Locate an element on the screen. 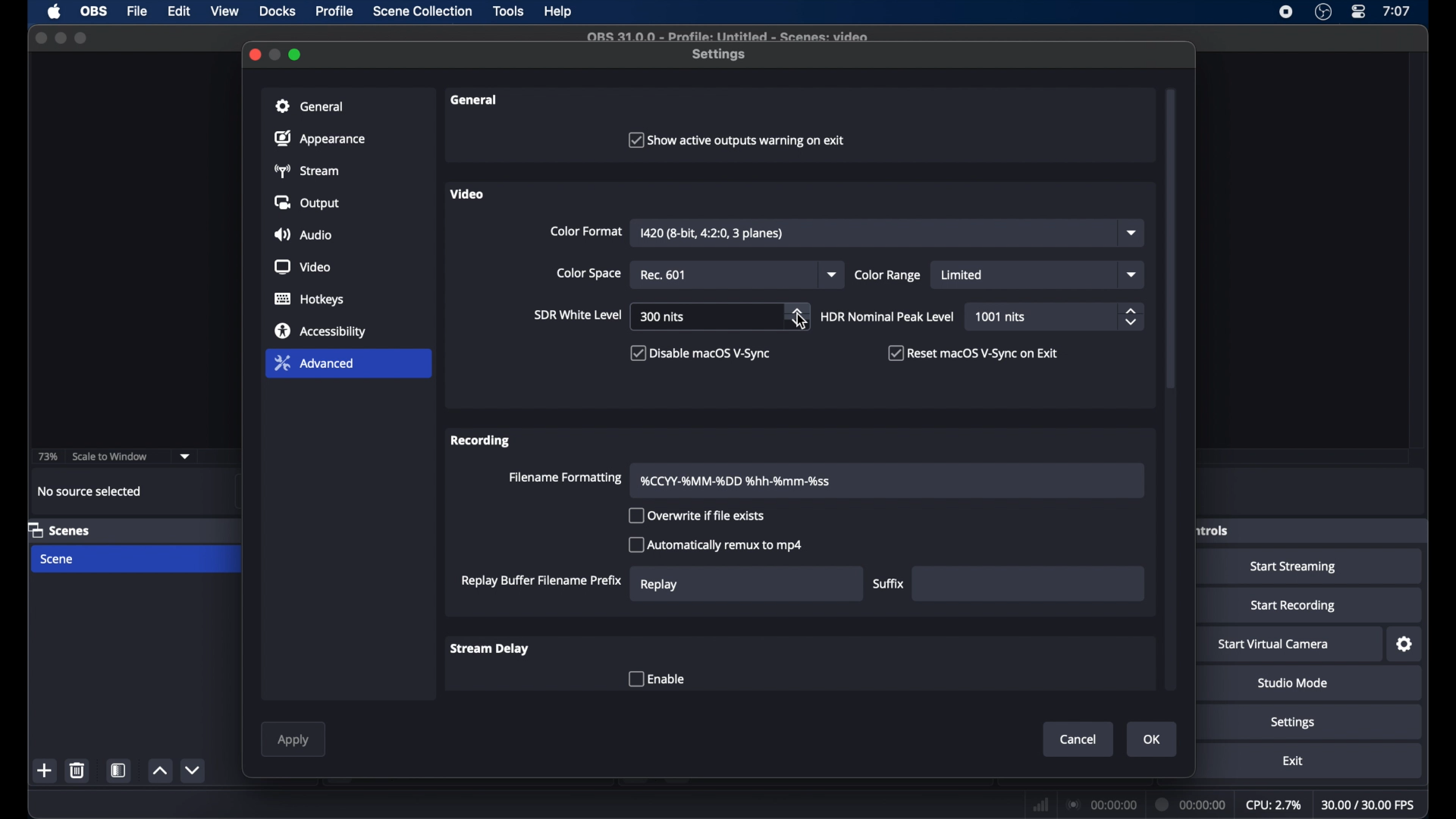 The width and height of the screenshot is (1456, 819). video is located at coordinates (467, 194).